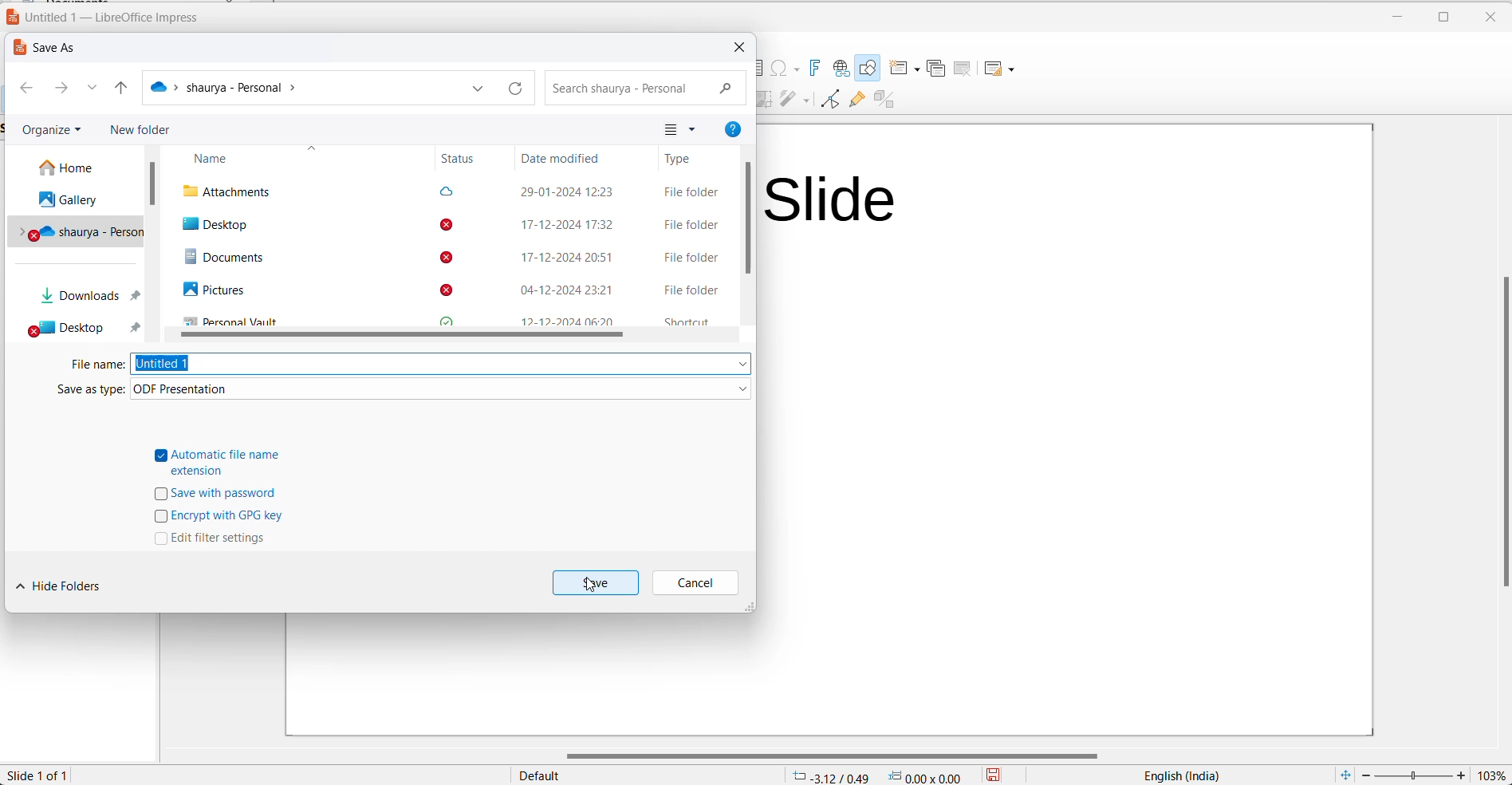  I want to click on SCROLL BAR NAVIGATION, so click(749, 217).